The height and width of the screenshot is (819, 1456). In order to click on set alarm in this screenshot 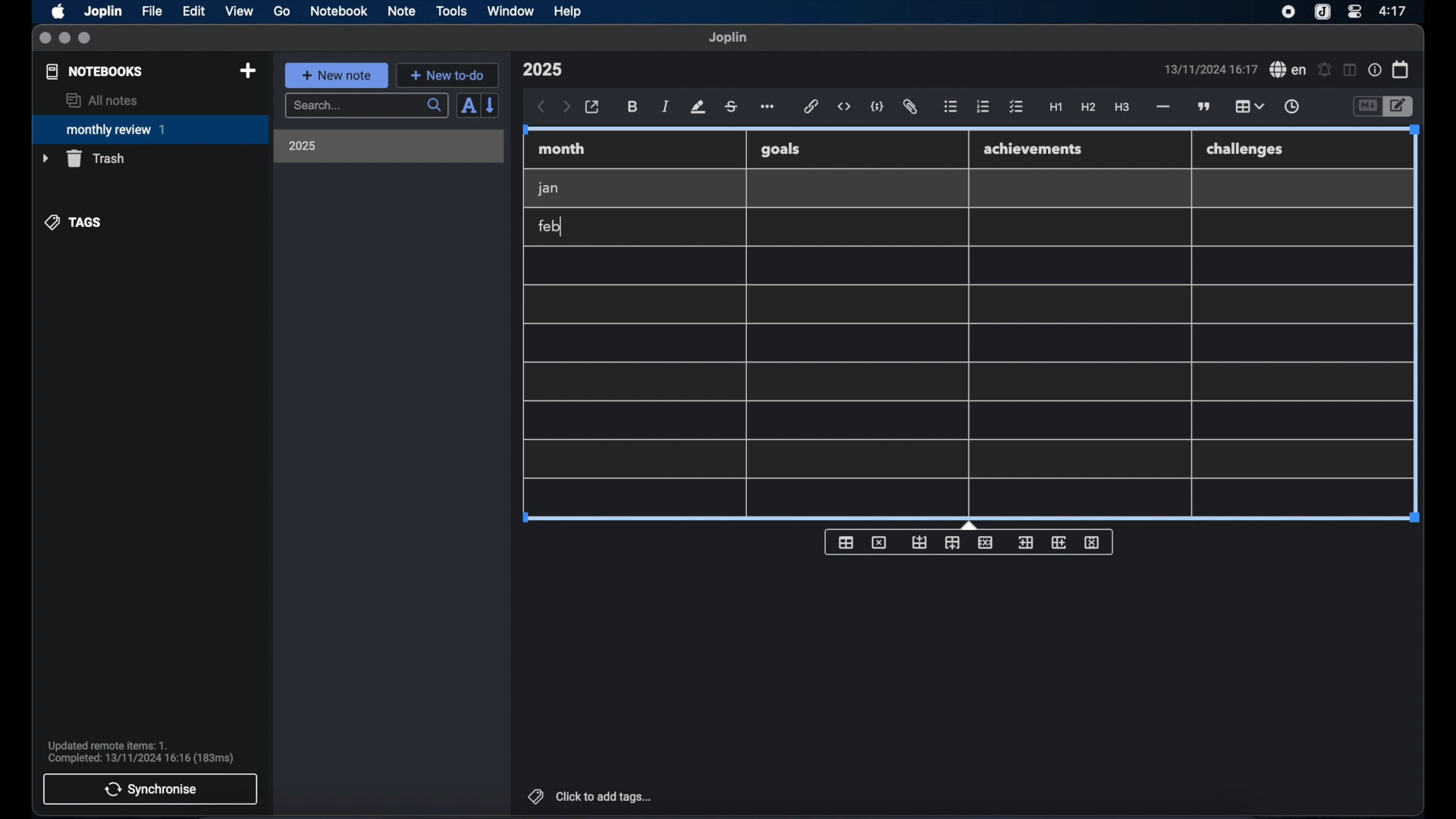, I will do `click(1325, 71)`.